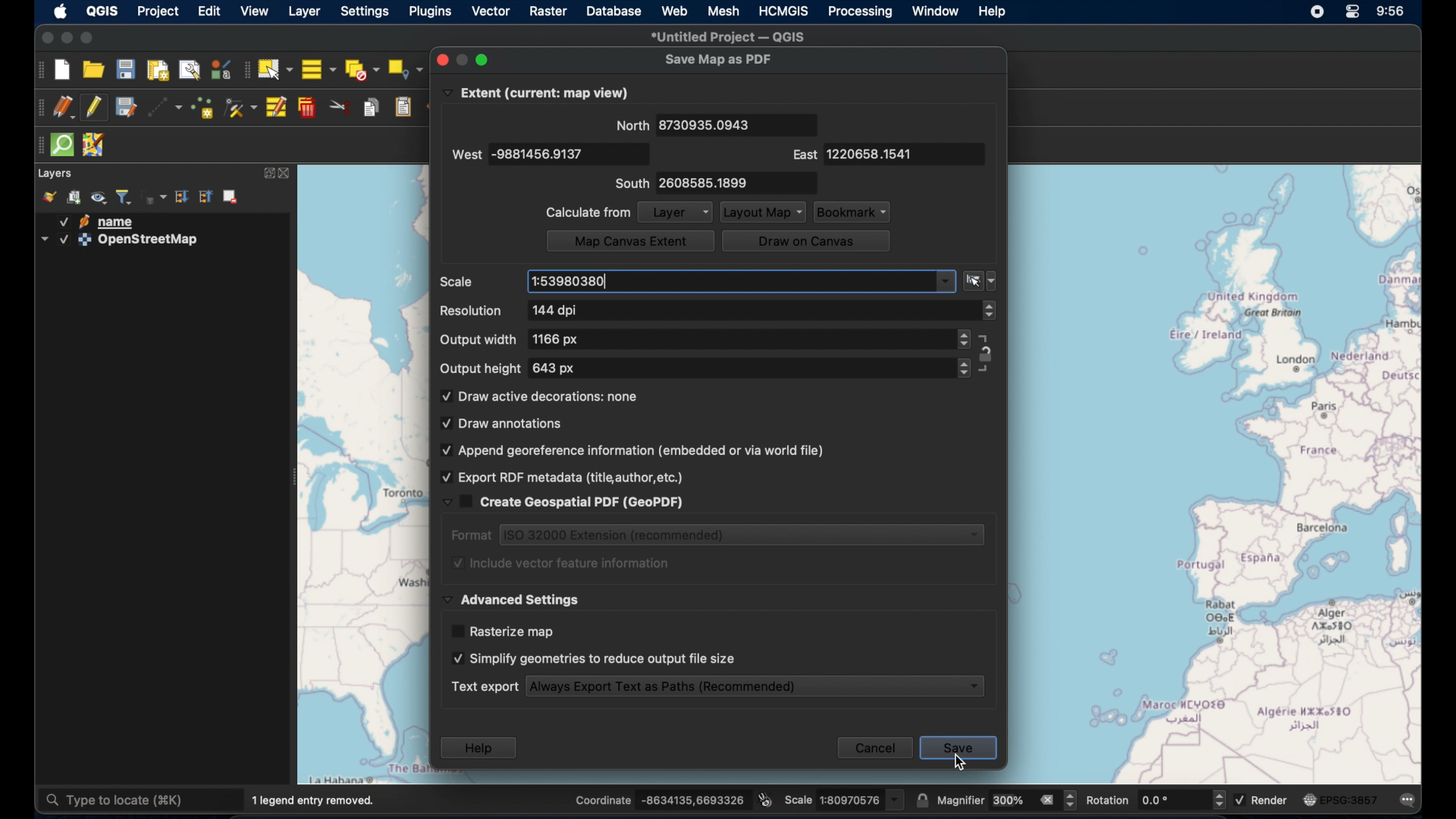 This screenshot has width=1456, height=819. What do you see at coordinates (206, 196) in the screenshot?
I see `collapse all` at bounding box center [206, 196].